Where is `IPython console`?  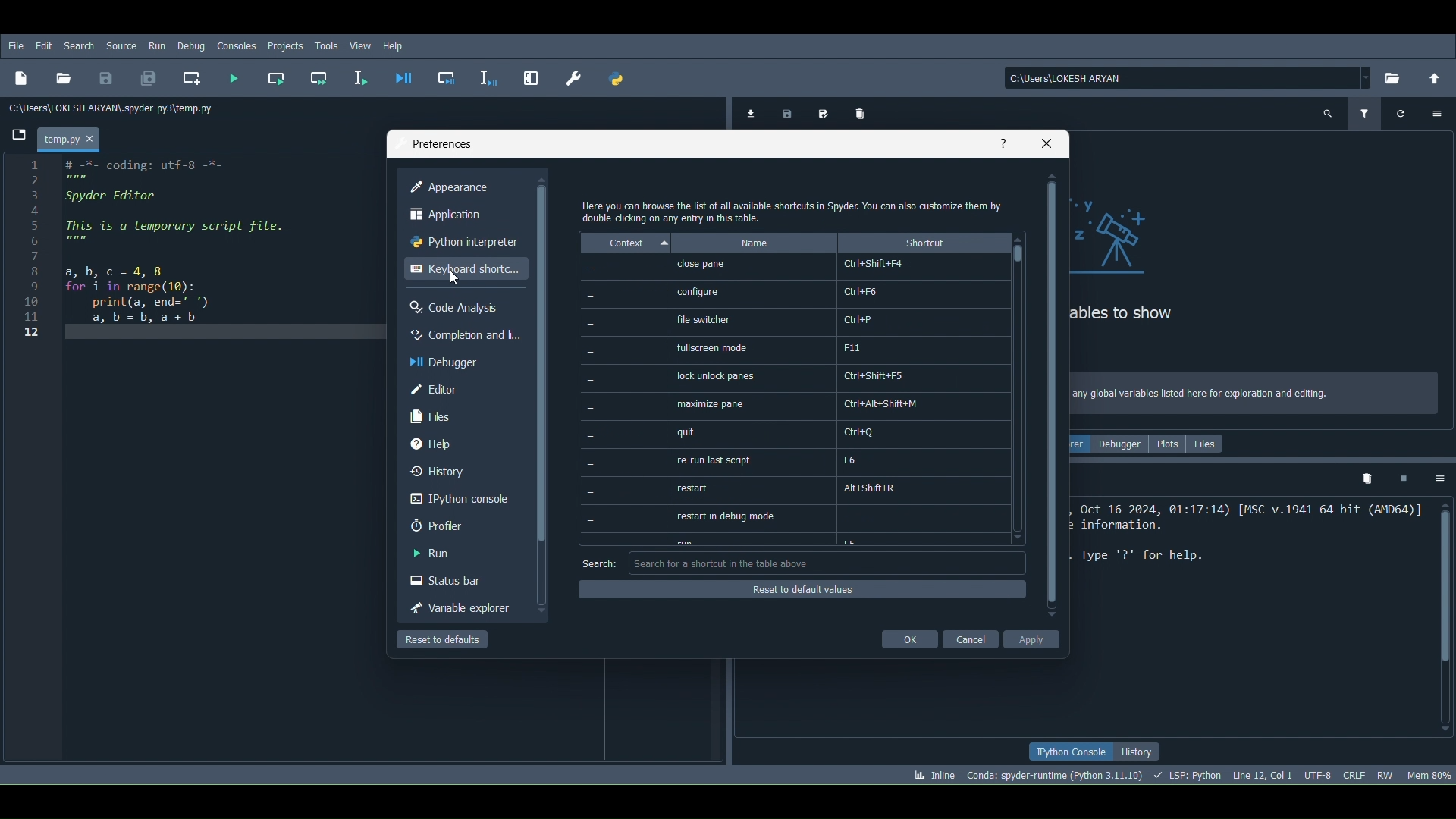
IPython console is located at coordinates (1072, 750).